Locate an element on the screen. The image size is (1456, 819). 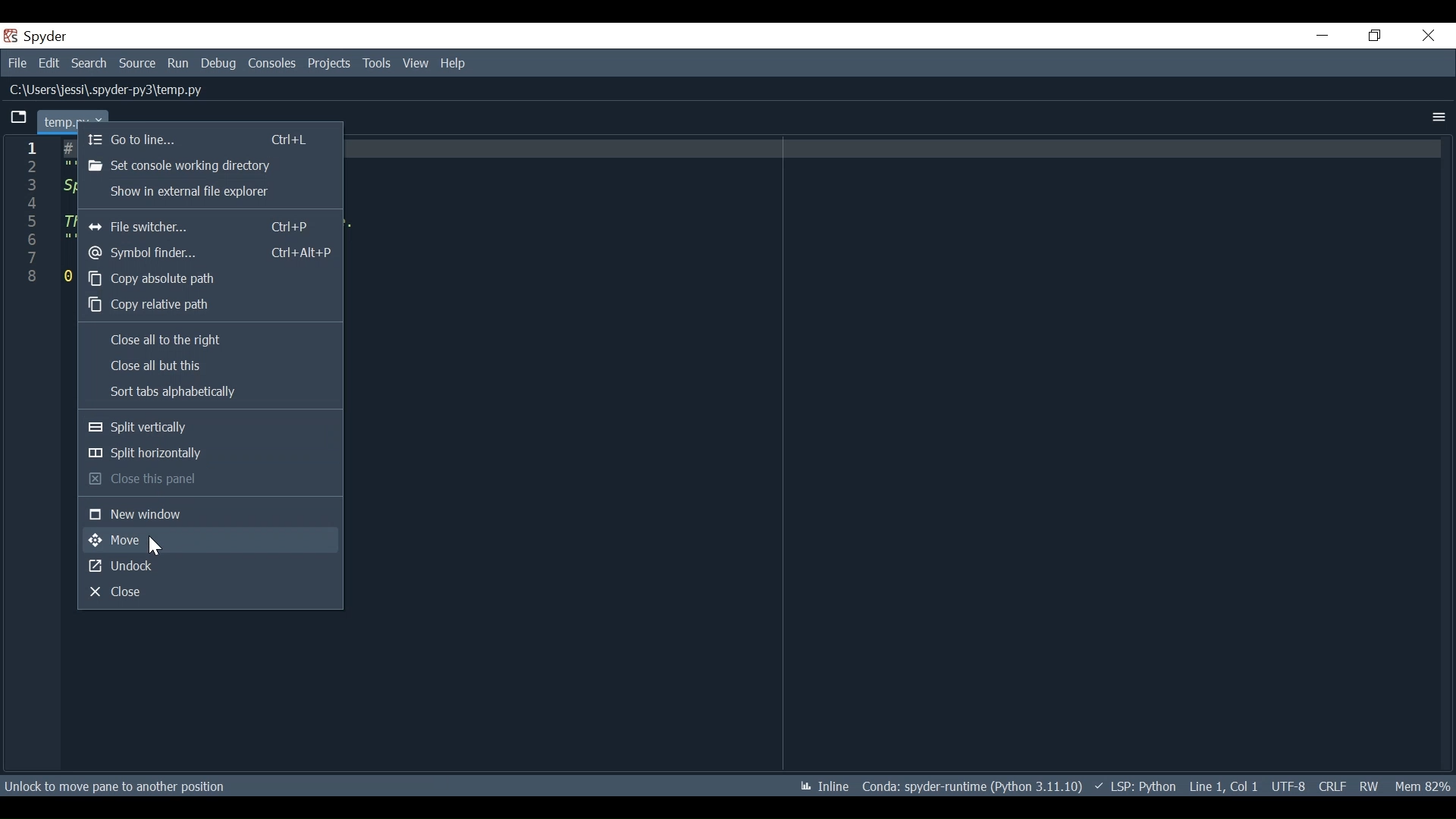
Sort tabs alphabetically is located at coordinates (209, 391).